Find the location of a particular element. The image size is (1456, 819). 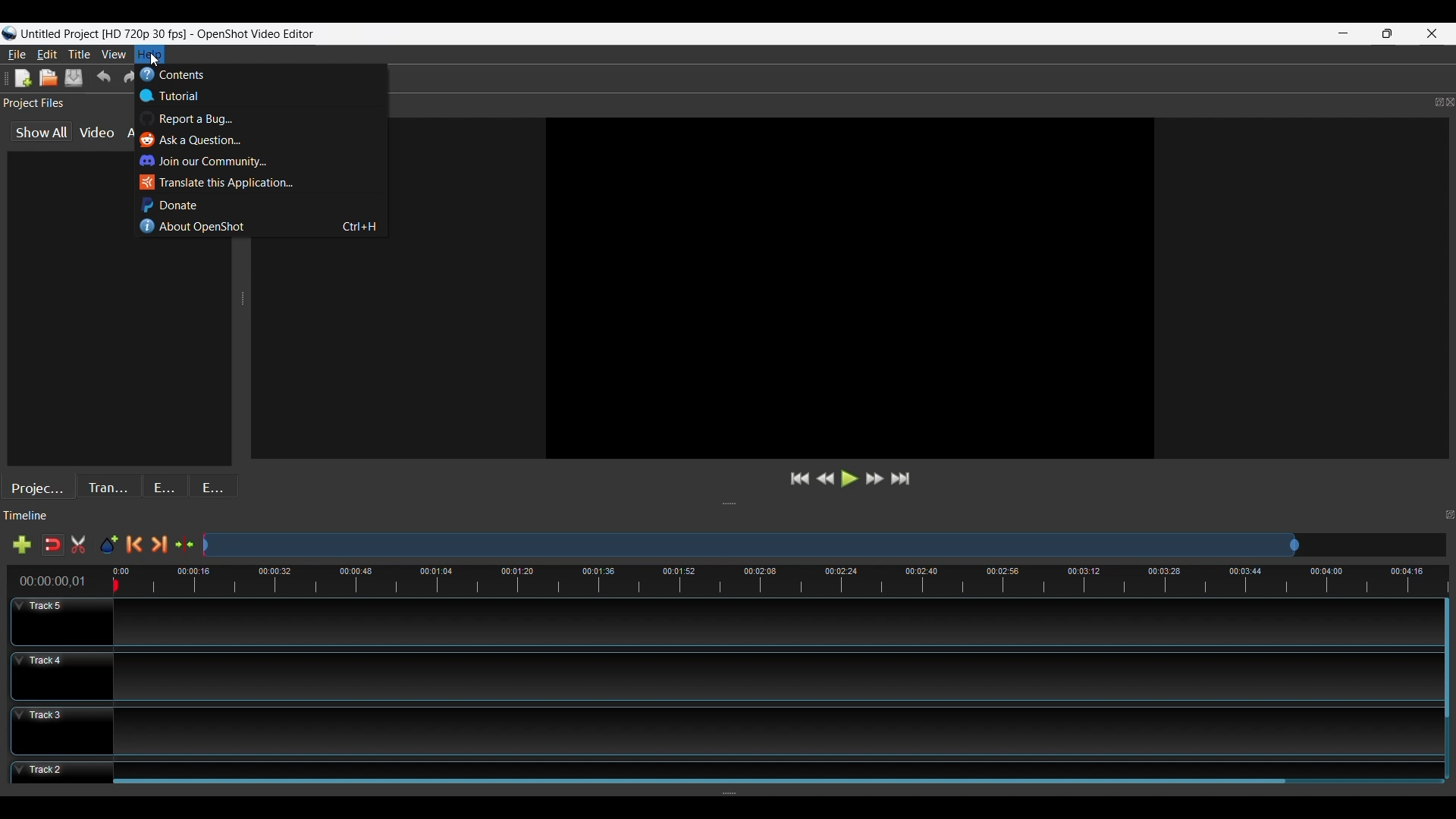

Marker is located at coordinates (108, 545).